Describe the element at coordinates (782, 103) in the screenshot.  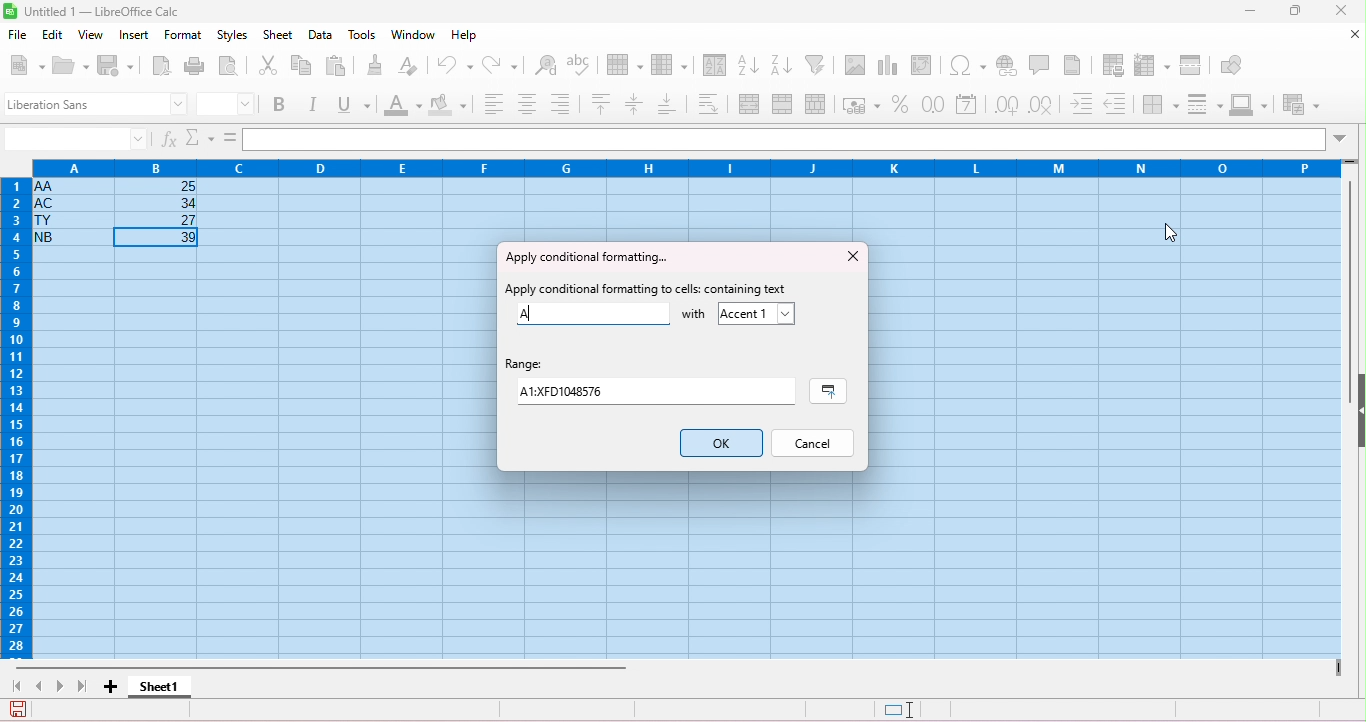
I see `merge` at that location.